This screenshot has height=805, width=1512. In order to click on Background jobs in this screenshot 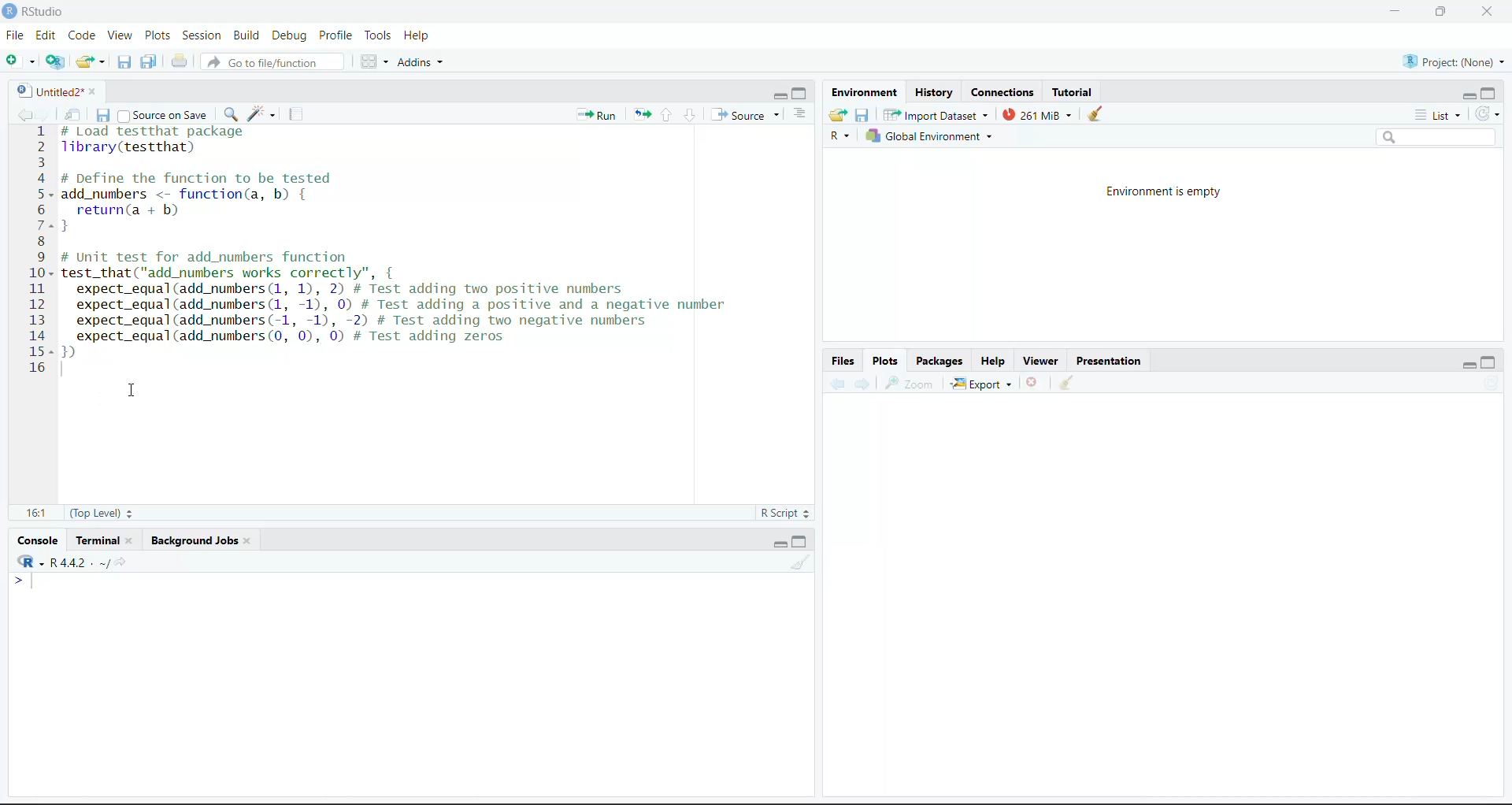, I will do `click(202, 540)`.